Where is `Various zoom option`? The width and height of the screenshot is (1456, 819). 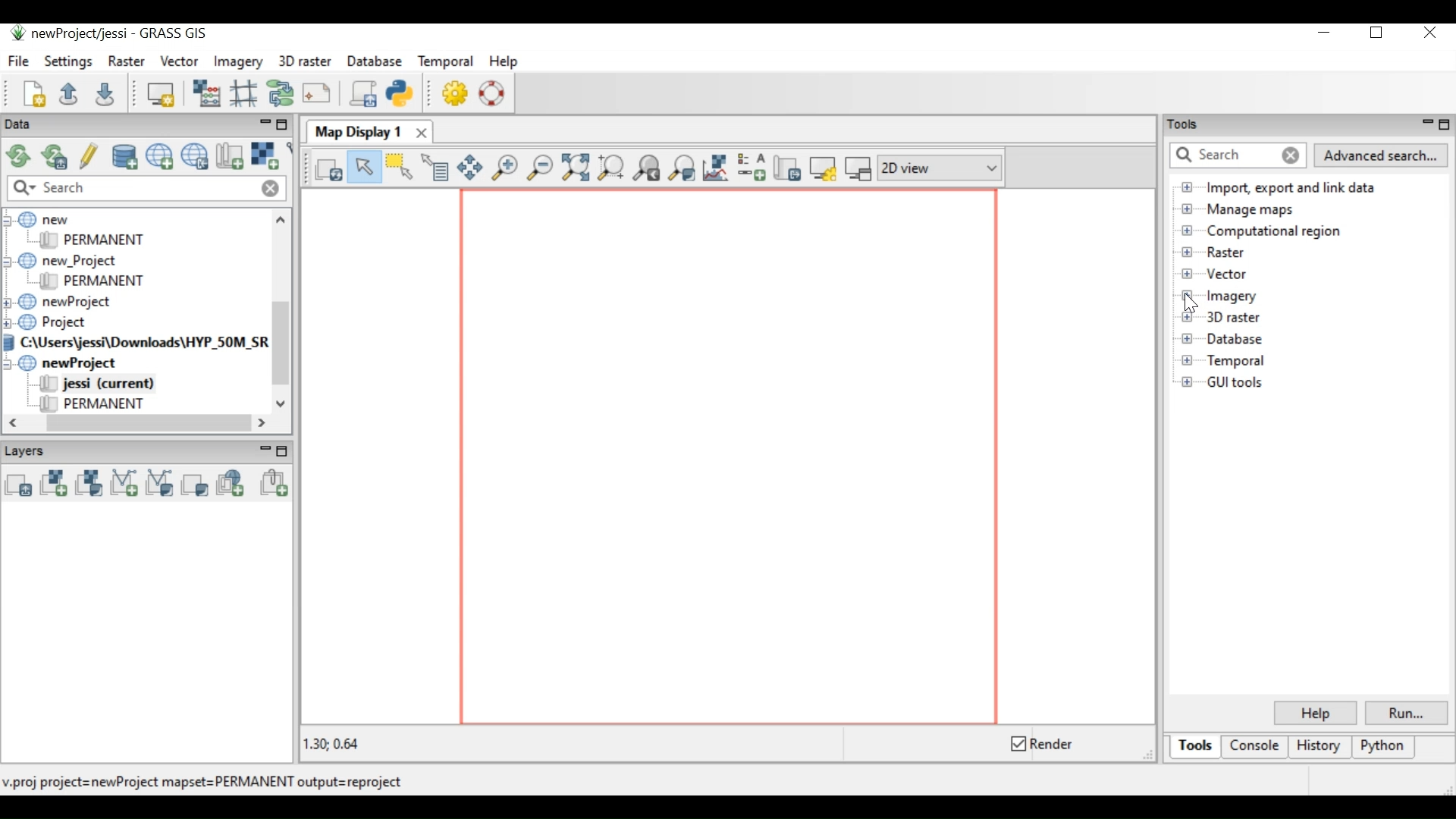 Various zoom option is located at coordinates (682, 168).